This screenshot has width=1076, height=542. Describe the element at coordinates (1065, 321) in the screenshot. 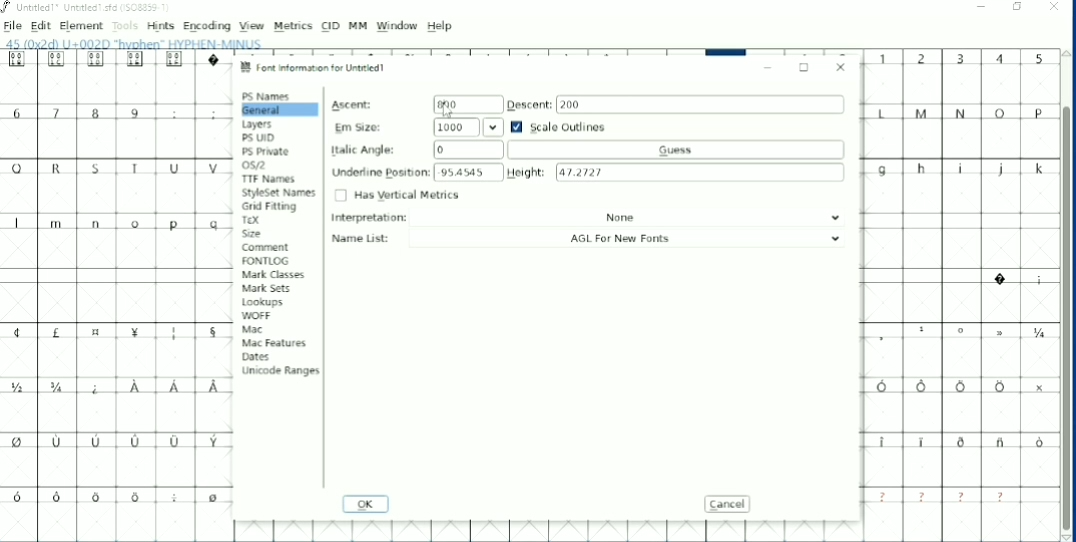

I see `Vertical scrollbar` at that location.